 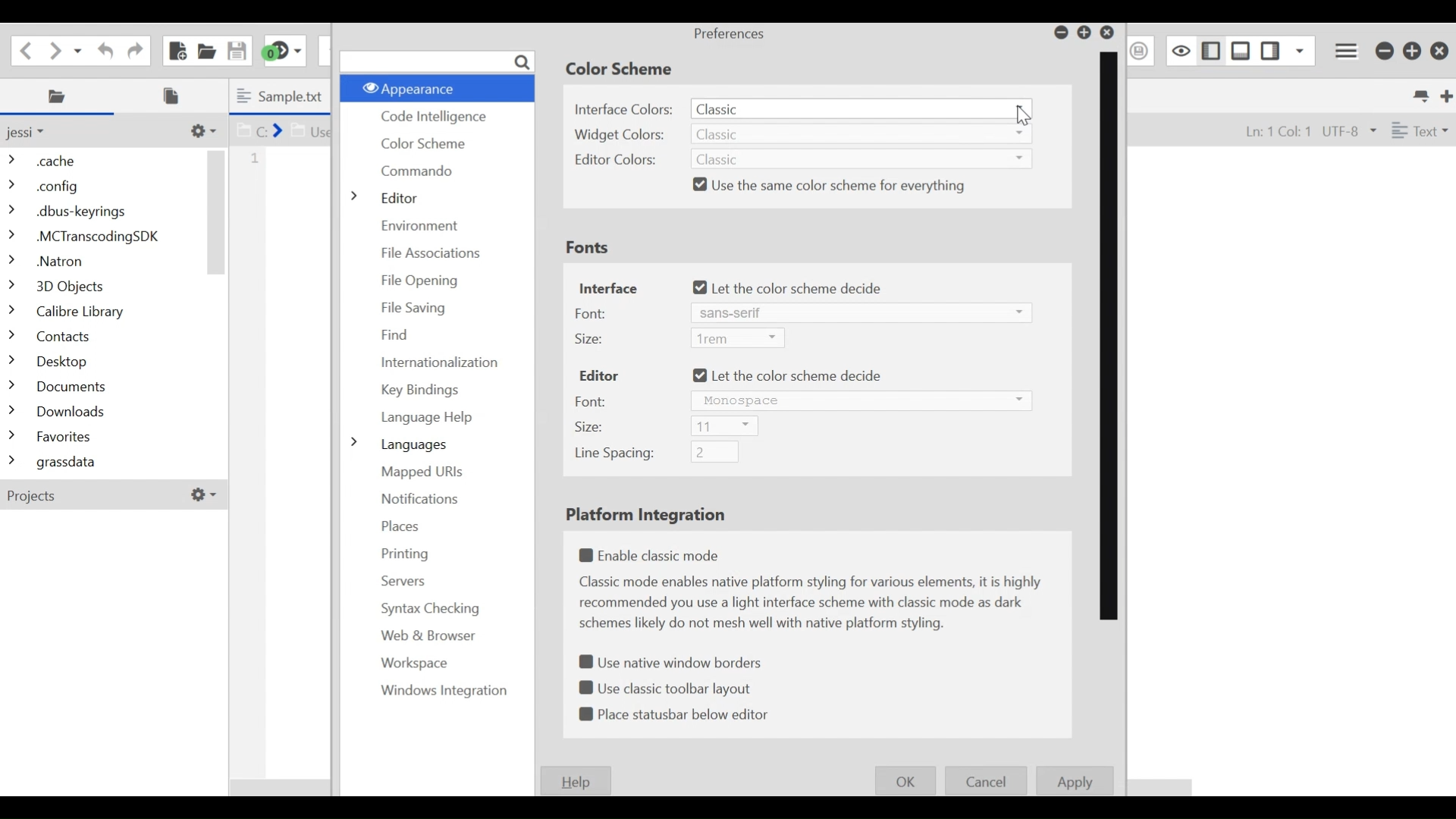 I want to click on OK, so click(x=905, y=780).